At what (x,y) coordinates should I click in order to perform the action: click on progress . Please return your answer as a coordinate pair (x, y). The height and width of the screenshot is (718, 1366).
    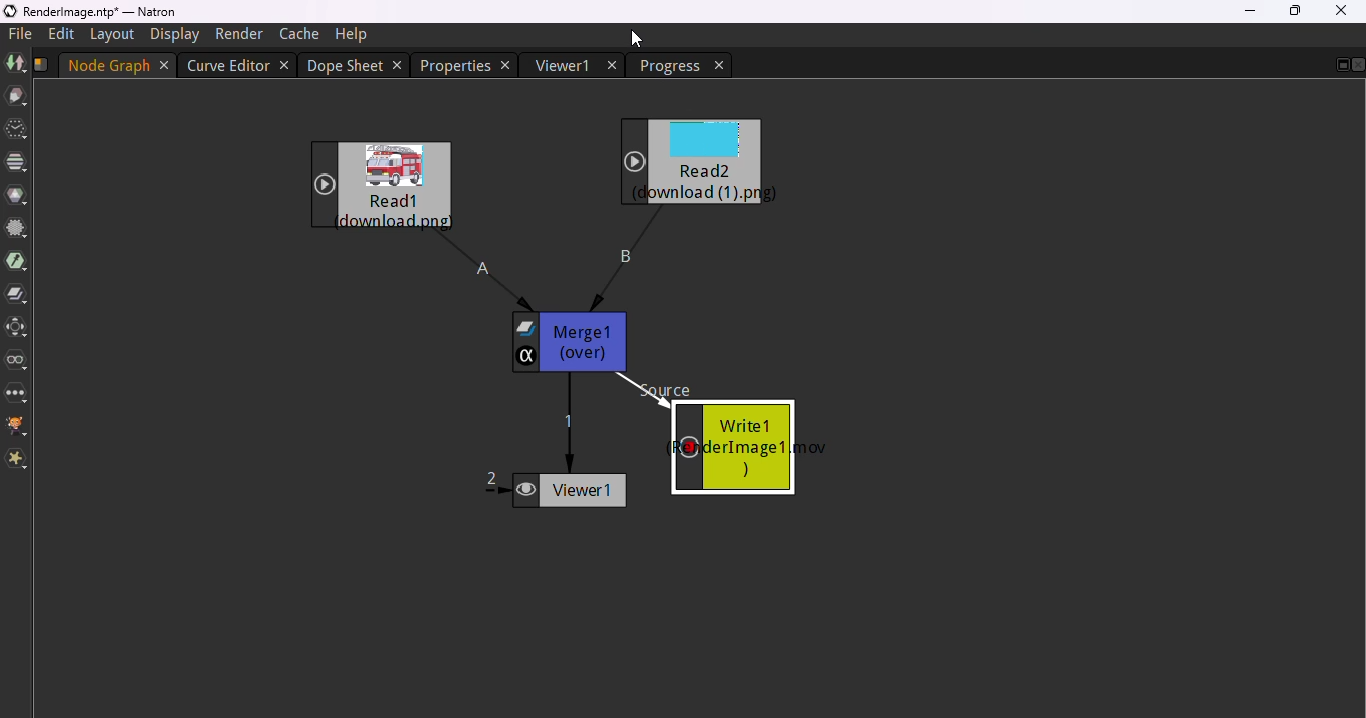
    Looking at the image, I should click on (670, 66).